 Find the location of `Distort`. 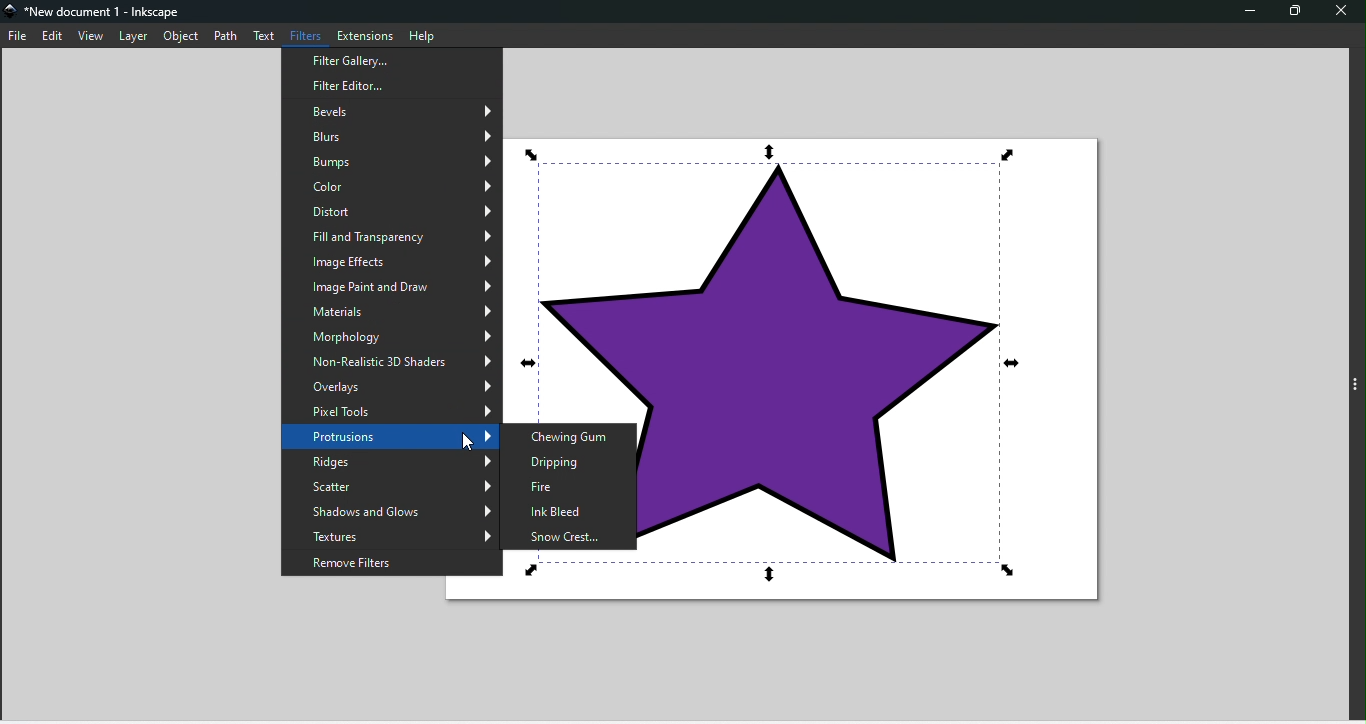

Distort is located at coordinates (391, 208).